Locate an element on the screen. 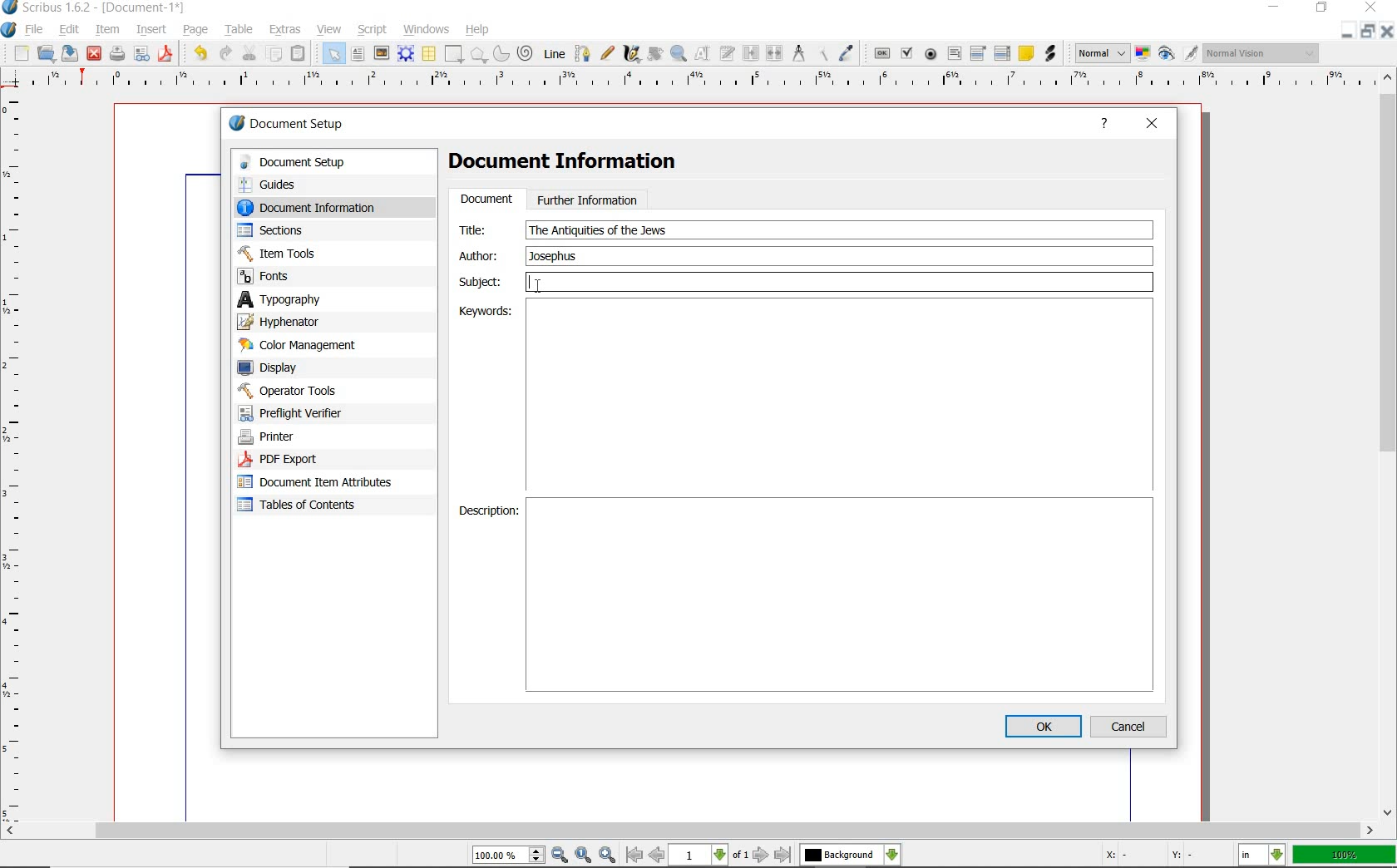 This screenshot has width=1397, height=868. script is located at coordinates (373, 30).